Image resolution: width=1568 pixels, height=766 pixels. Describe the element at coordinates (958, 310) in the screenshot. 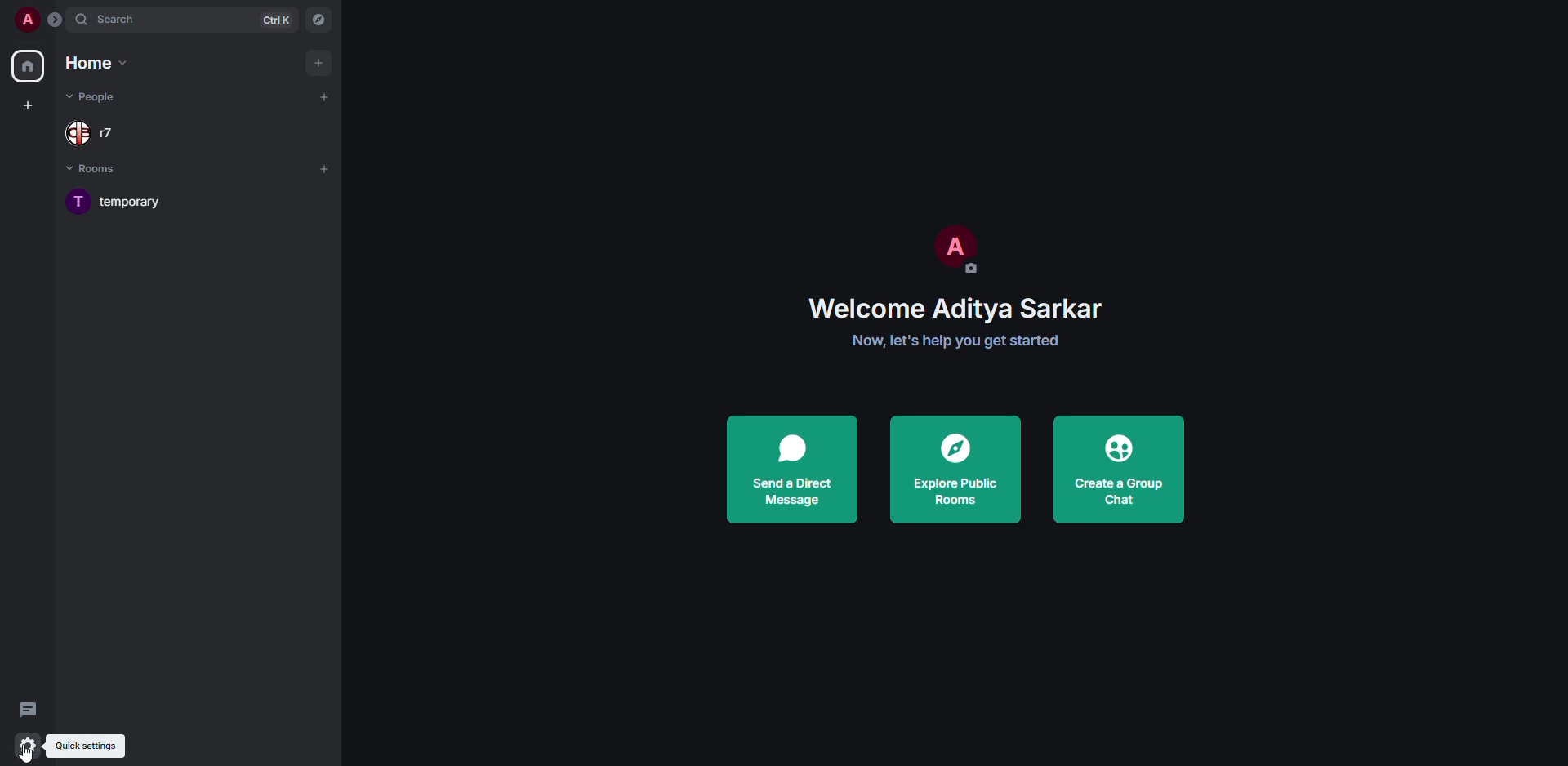

I see `welcome` at that location.